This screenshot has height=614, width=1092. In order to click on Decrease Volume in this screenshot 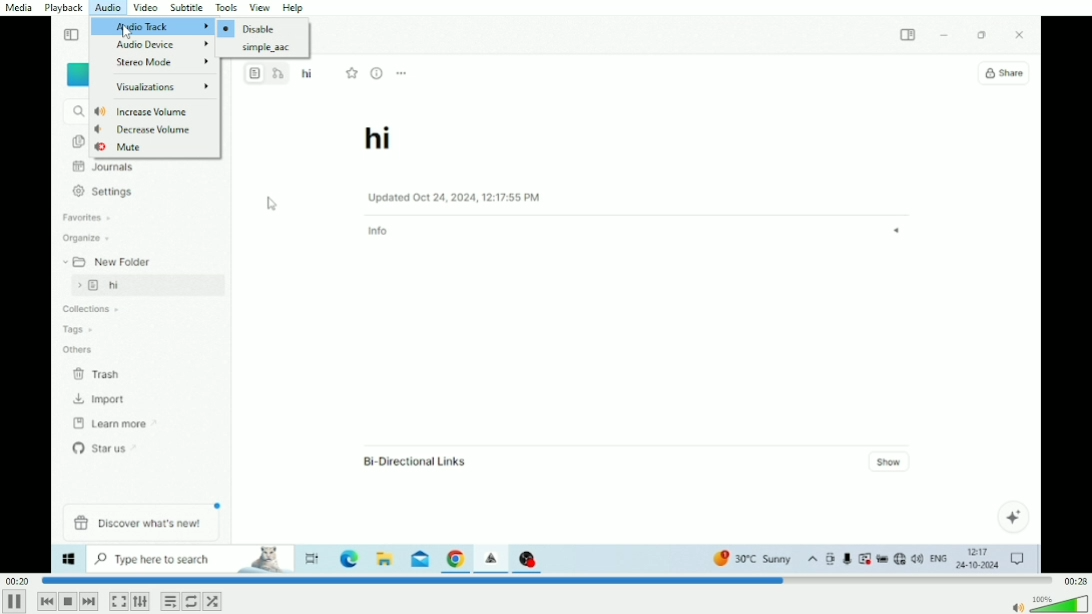, I will do `click(144, 129)`.